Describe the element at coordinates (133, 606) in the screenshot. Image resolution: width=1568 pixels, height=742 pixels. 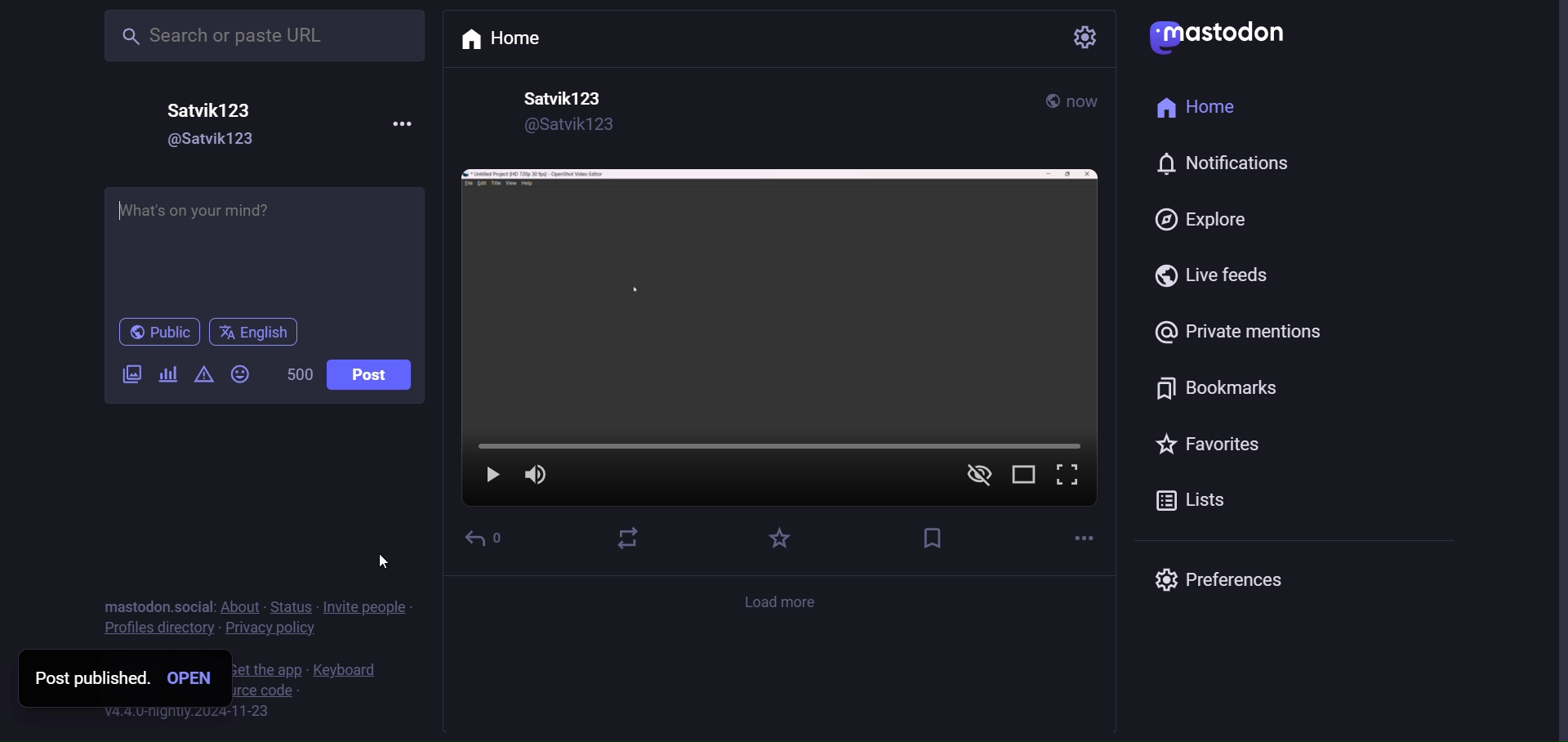
I see `mastodon` at that location.